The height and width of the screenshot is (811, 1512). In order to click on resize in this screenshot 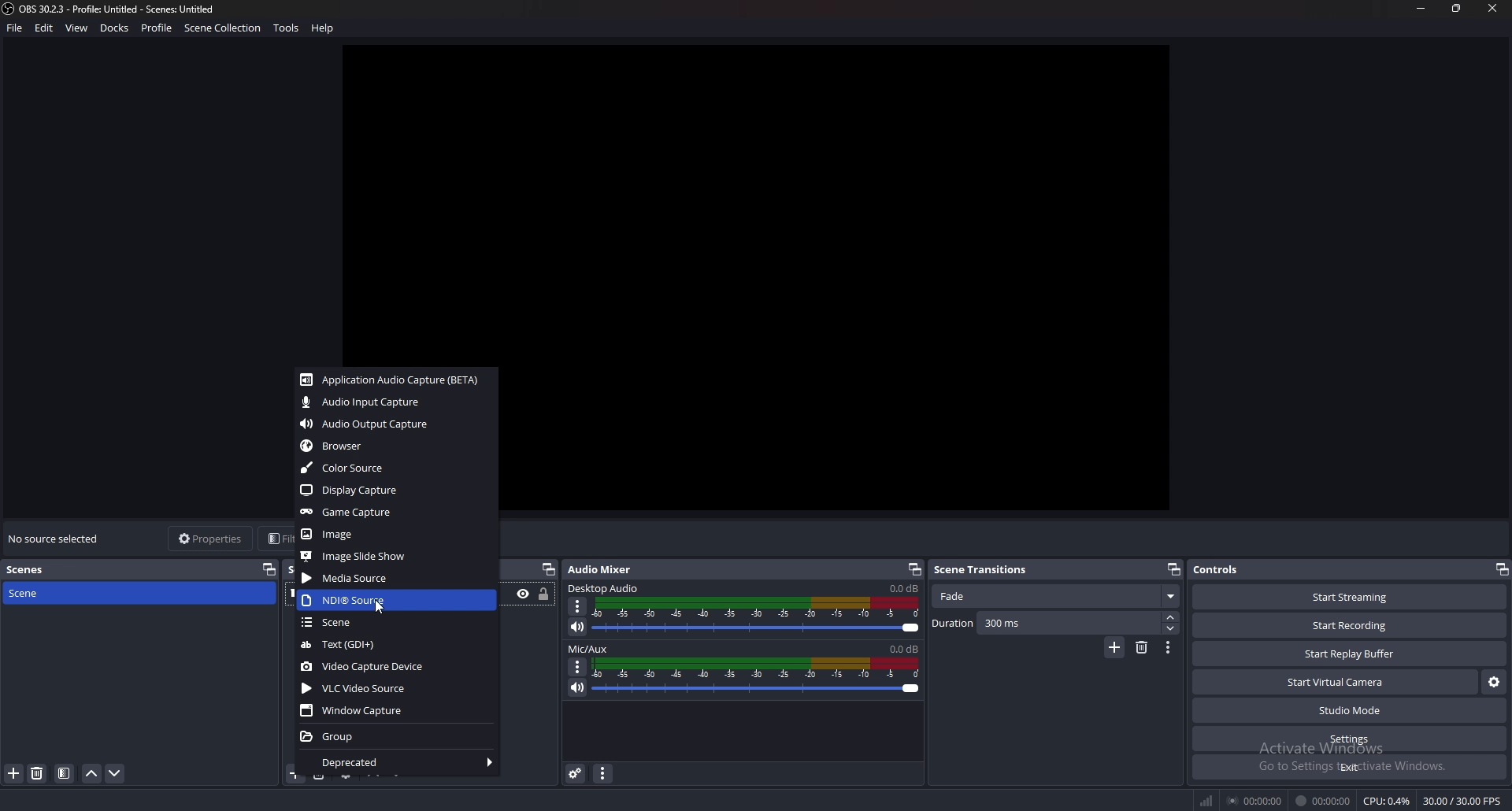, I will do `click(1458, 8)`.